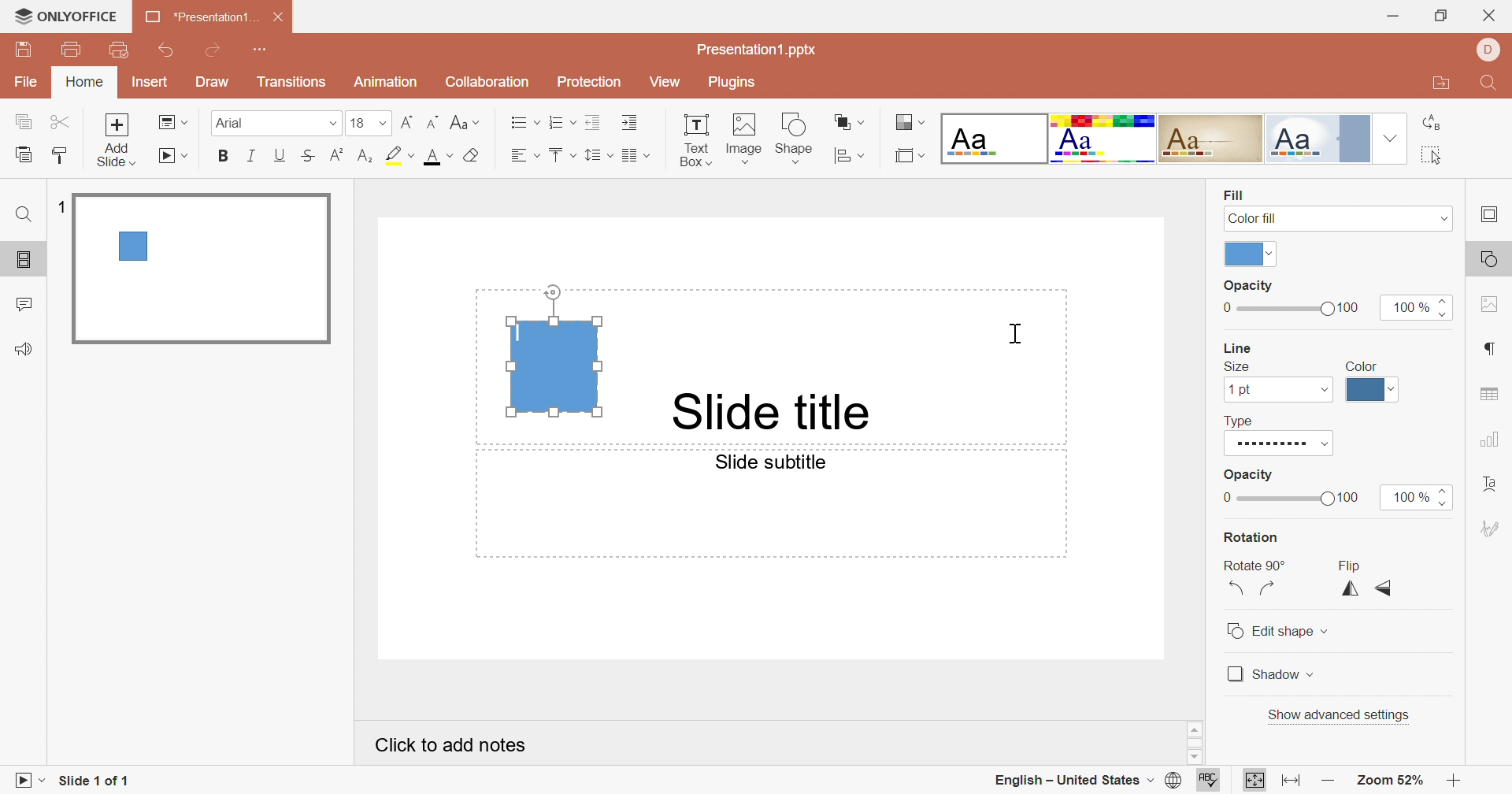 Image resolution: width=1512 pixels, height=794 pixels. Describe the element at coordinates (24, 123) in the screenshot. I see `Copy` at that location.